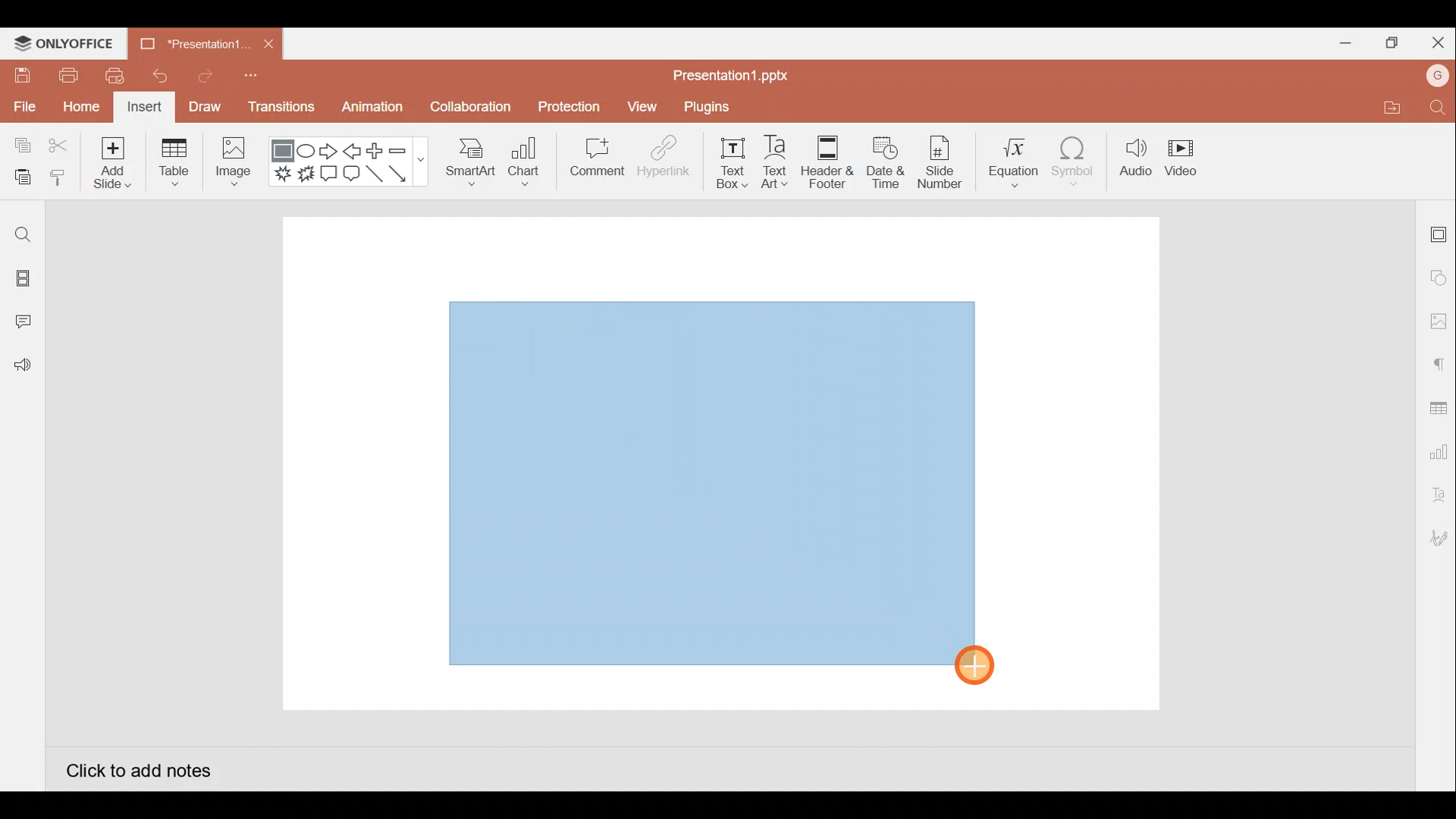 The height and width of the screenshot is (819, 1456). I want to click on Slide number, so click(939, 162).